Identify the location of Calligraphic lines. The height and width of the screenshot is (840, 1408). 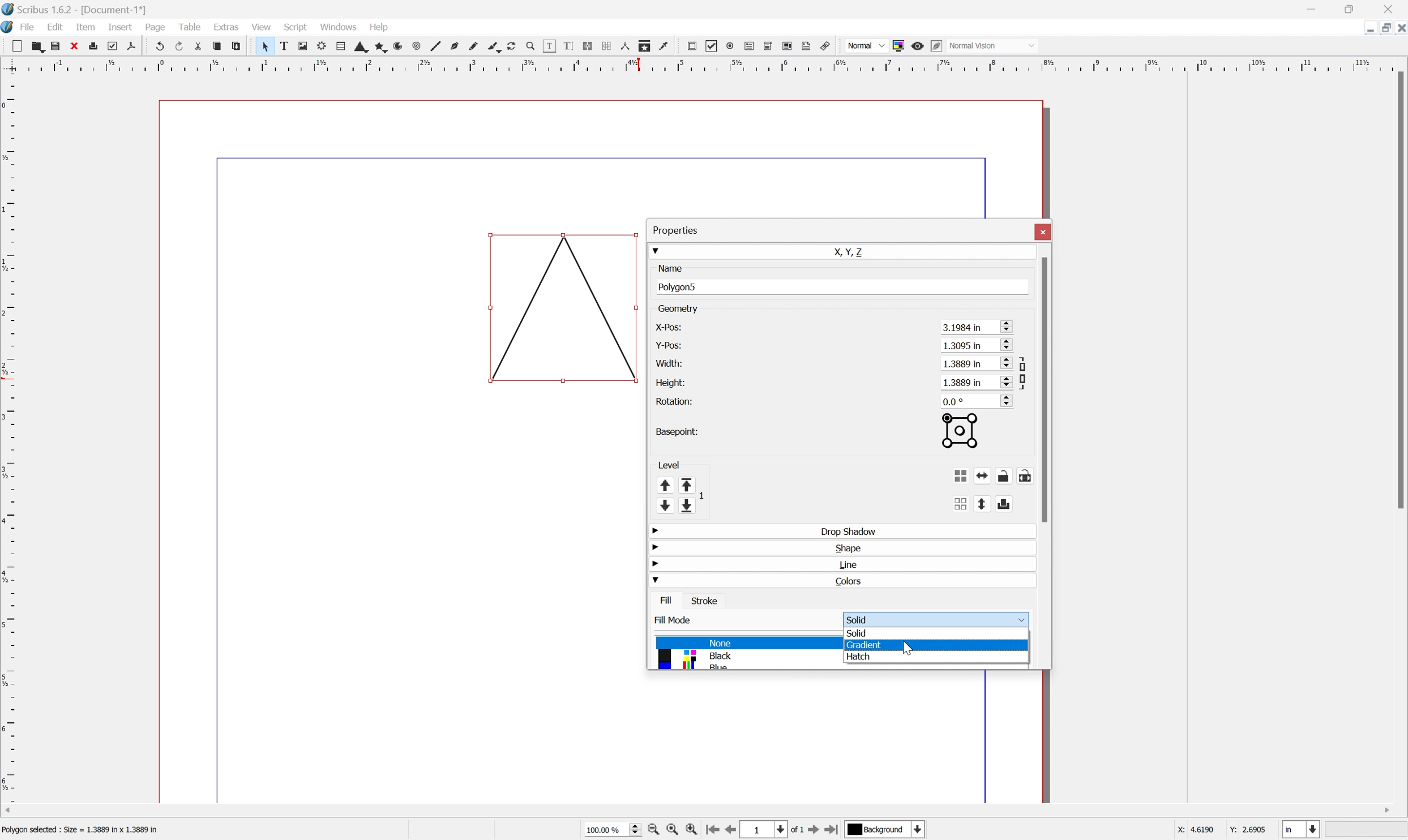
(495, 48).